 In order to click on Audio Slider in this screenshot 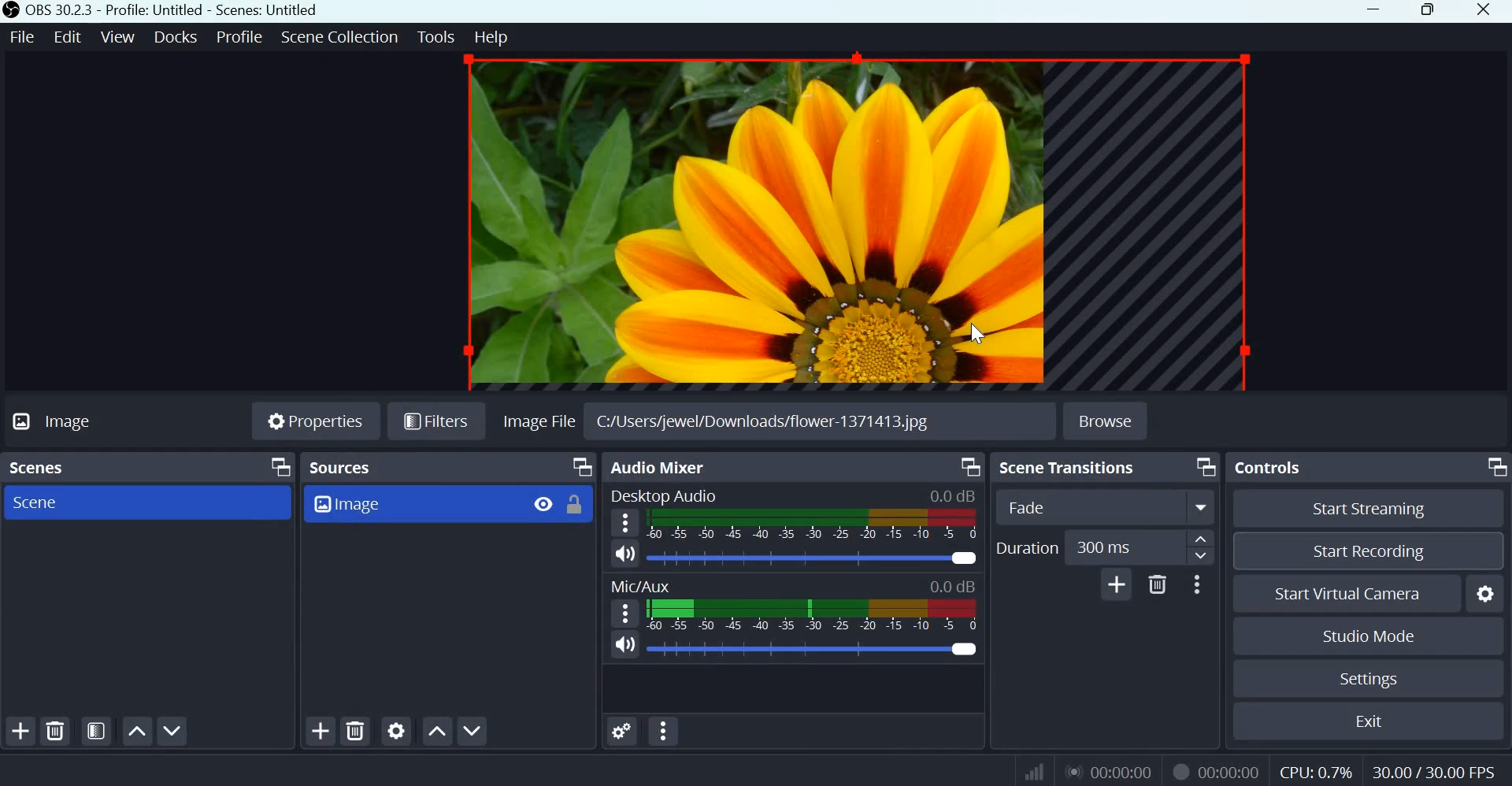, I will do `click(814, 651)`.